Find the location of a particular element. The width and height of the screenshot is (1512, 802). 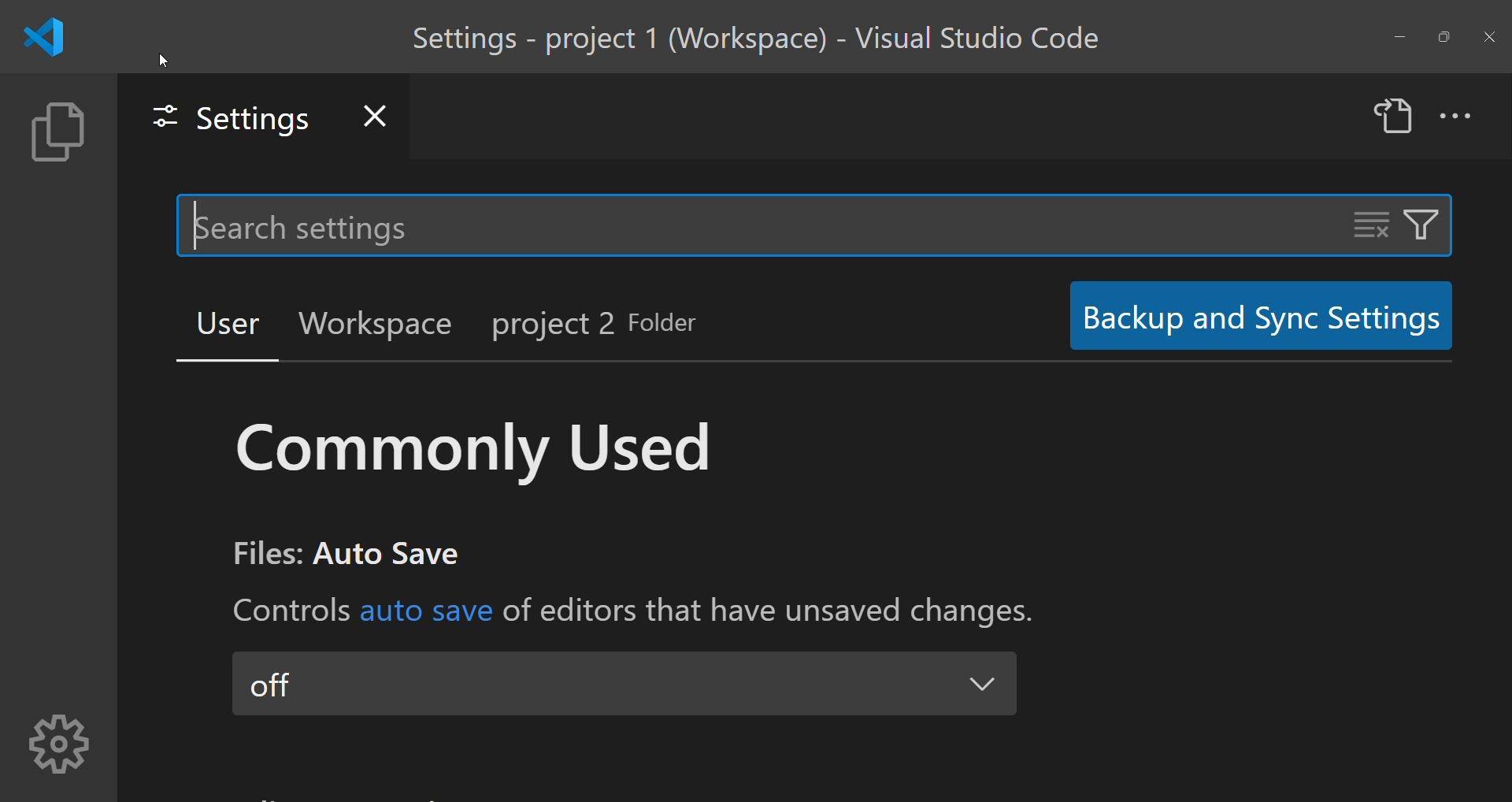

settings is located at coordinates (224, 116).